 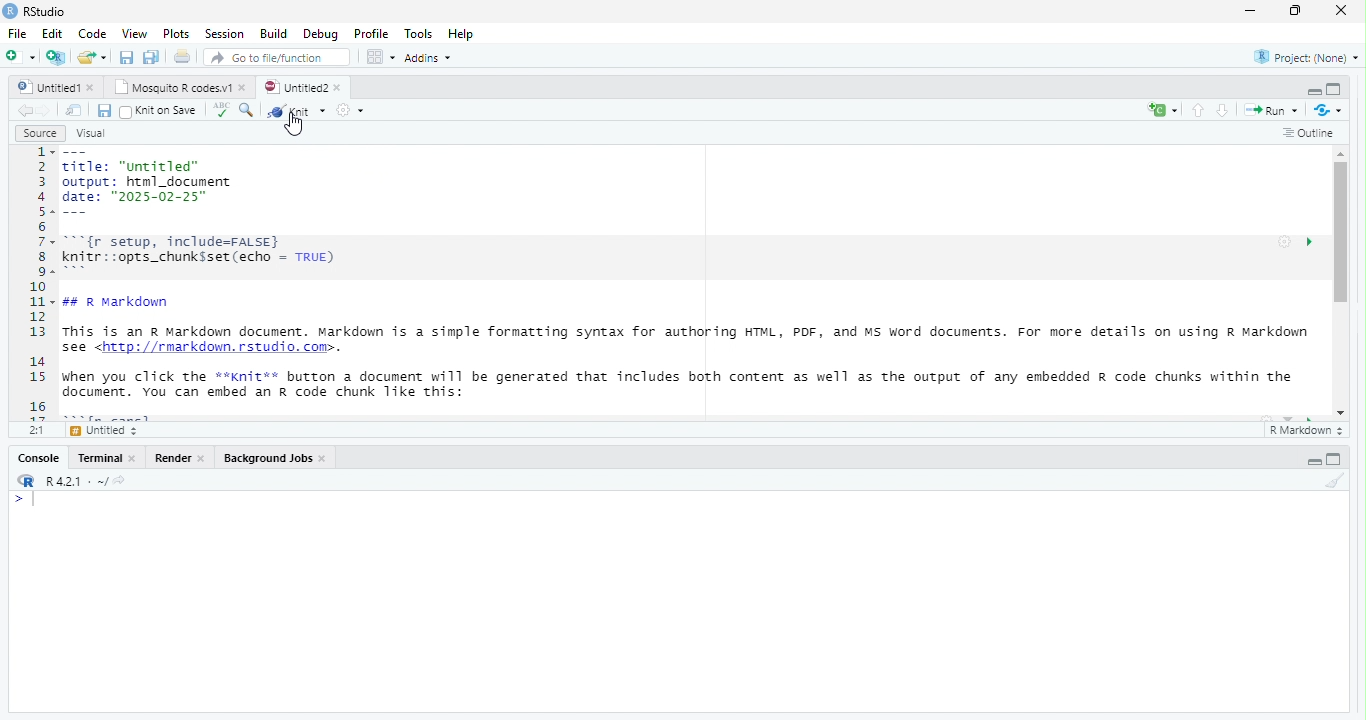 I want to click on close, so click(x=133, y=458).